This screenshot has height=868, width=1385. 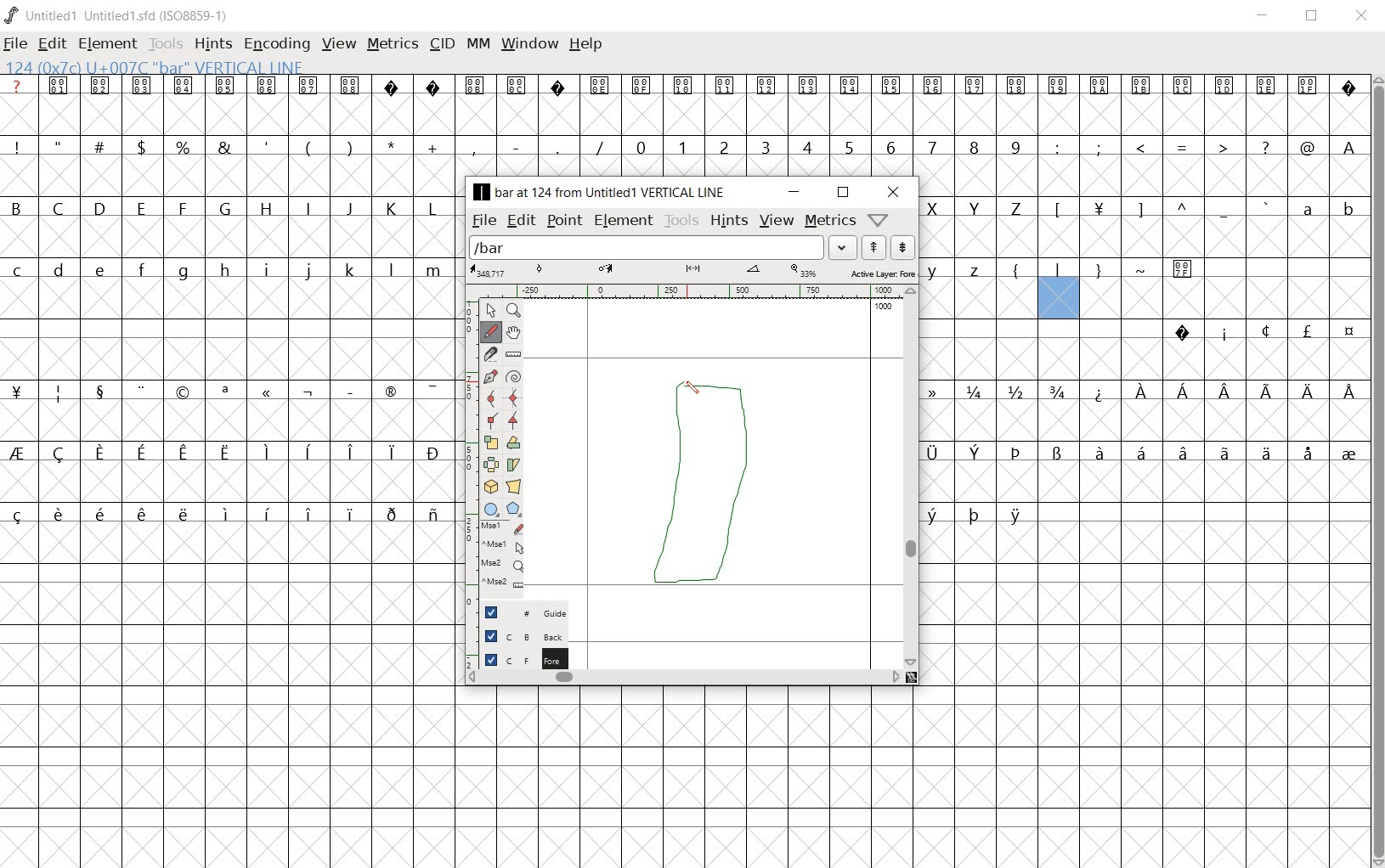 I want to click on help, so click(x=587, y=45).